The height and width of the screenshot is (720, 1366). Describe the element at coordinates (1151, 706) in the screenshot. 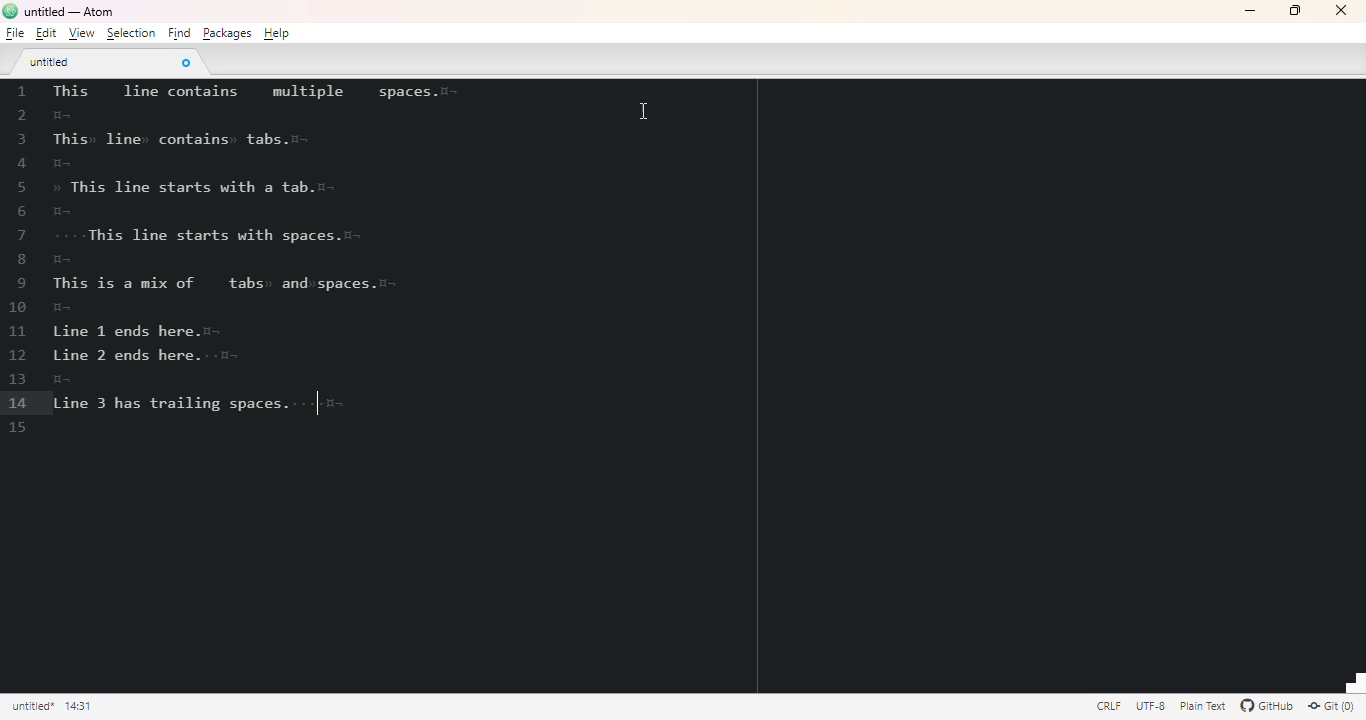

I see `this file uses UTF-8 encoding` at that location.